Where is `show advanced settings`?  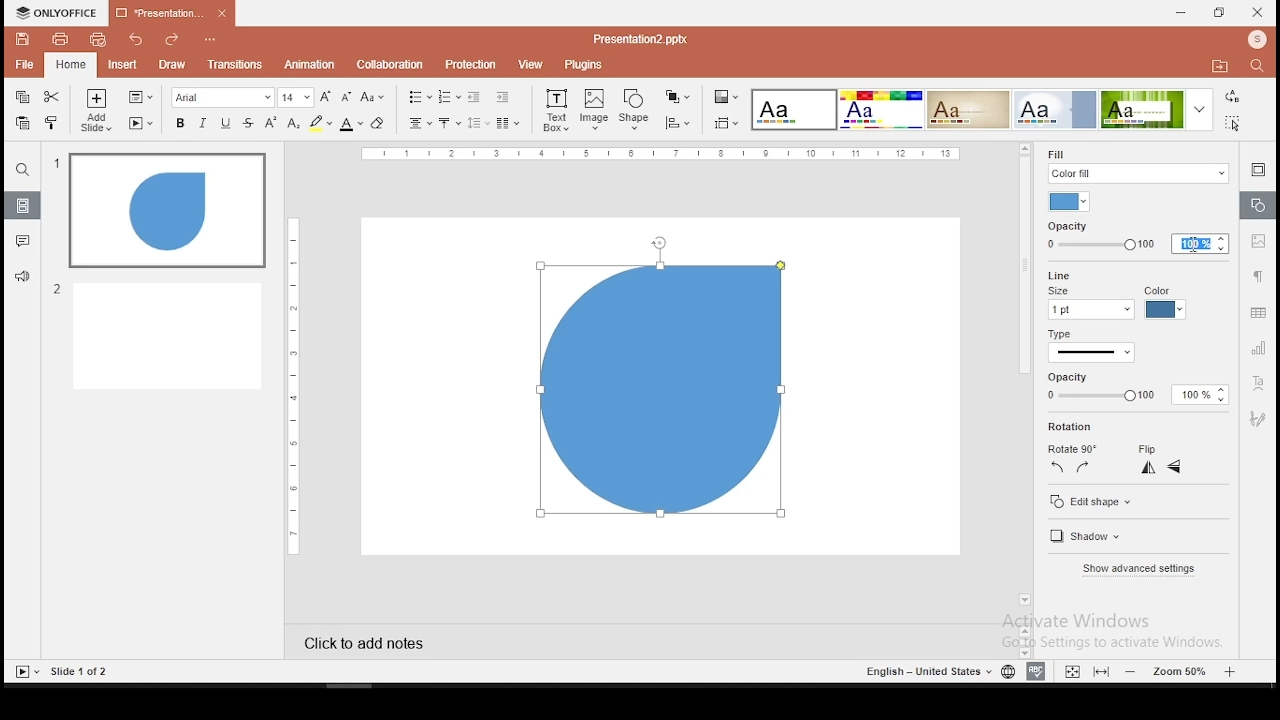 show advanced settings is located at coordinates (1138, 569).